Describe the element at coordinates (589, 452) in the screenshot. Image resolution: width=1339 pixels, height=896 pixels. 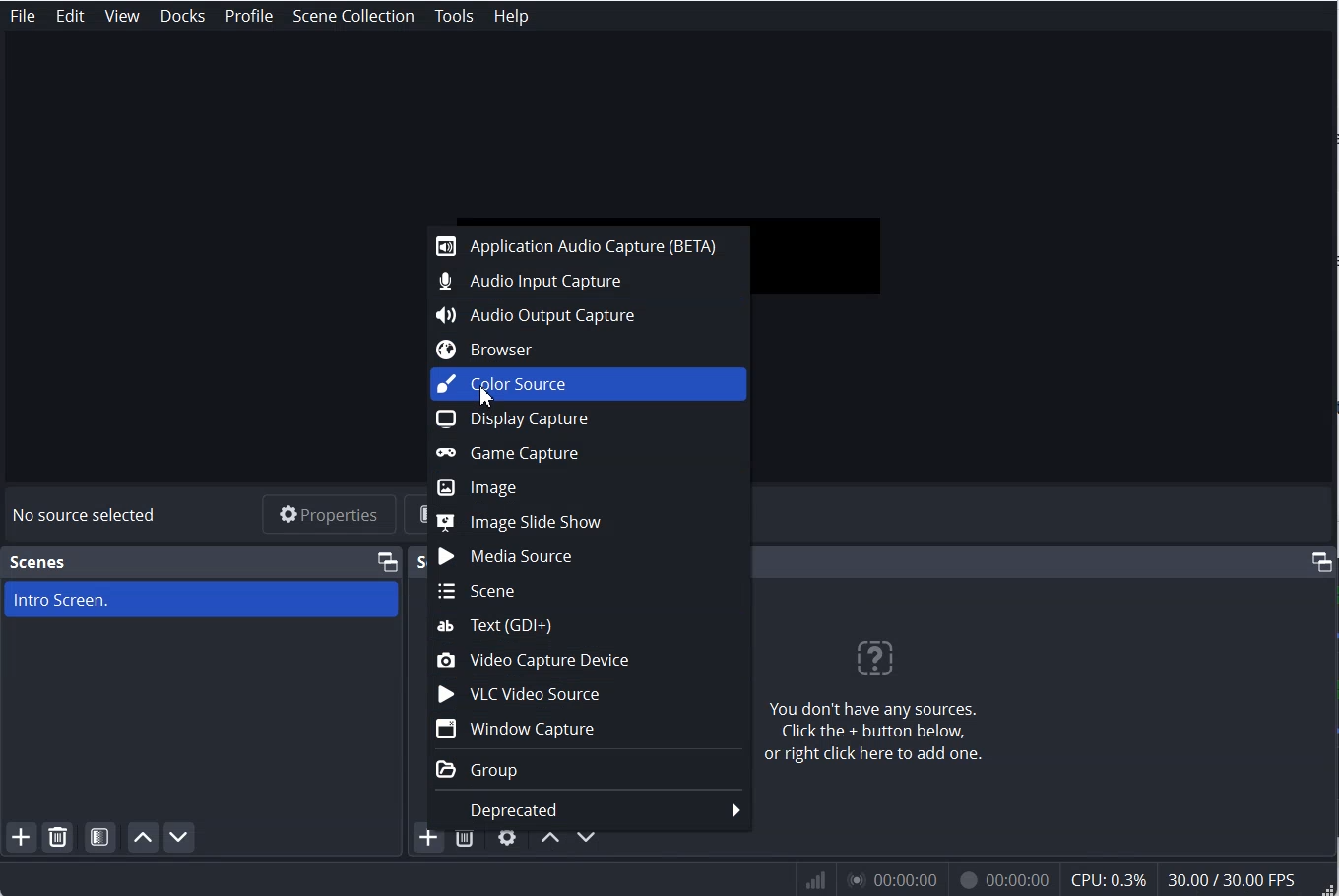
I see `Game Capture` at that location.